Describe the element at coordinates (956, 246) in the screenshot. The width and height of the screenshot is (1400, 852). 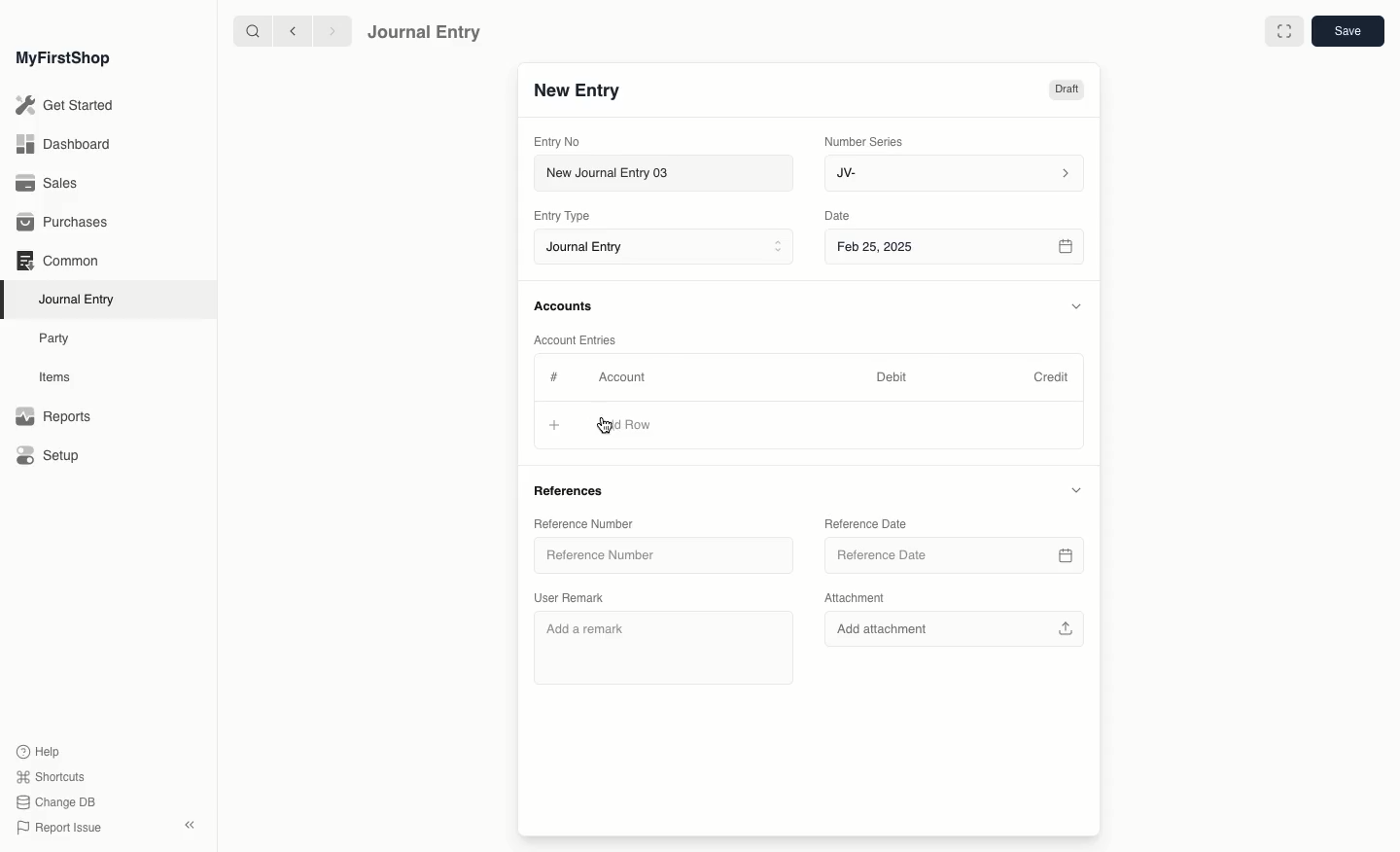
I see `Feb 25, 2025 8` at that location.